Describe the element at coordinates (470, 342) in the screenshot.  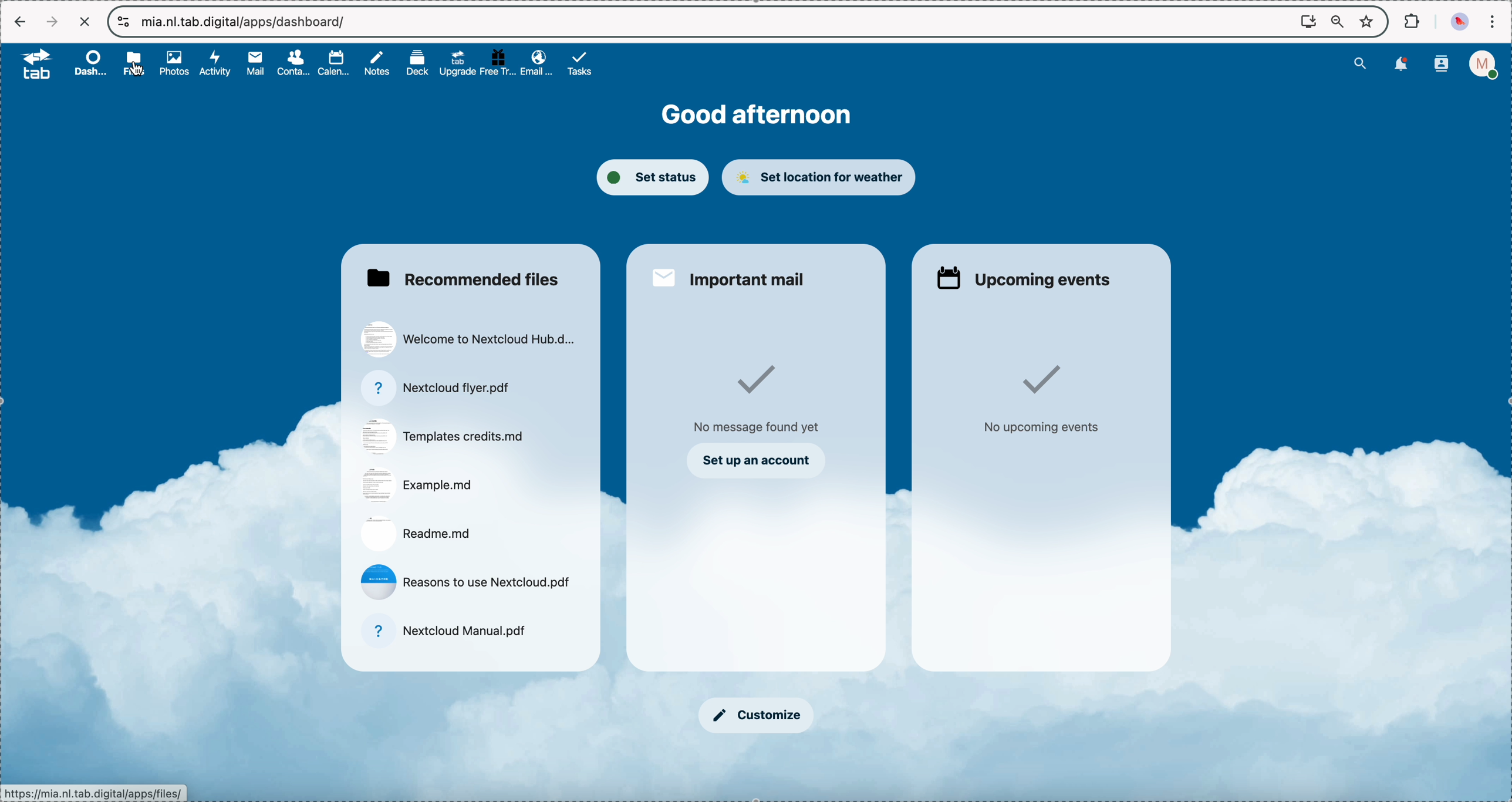
I see `file` at that location.